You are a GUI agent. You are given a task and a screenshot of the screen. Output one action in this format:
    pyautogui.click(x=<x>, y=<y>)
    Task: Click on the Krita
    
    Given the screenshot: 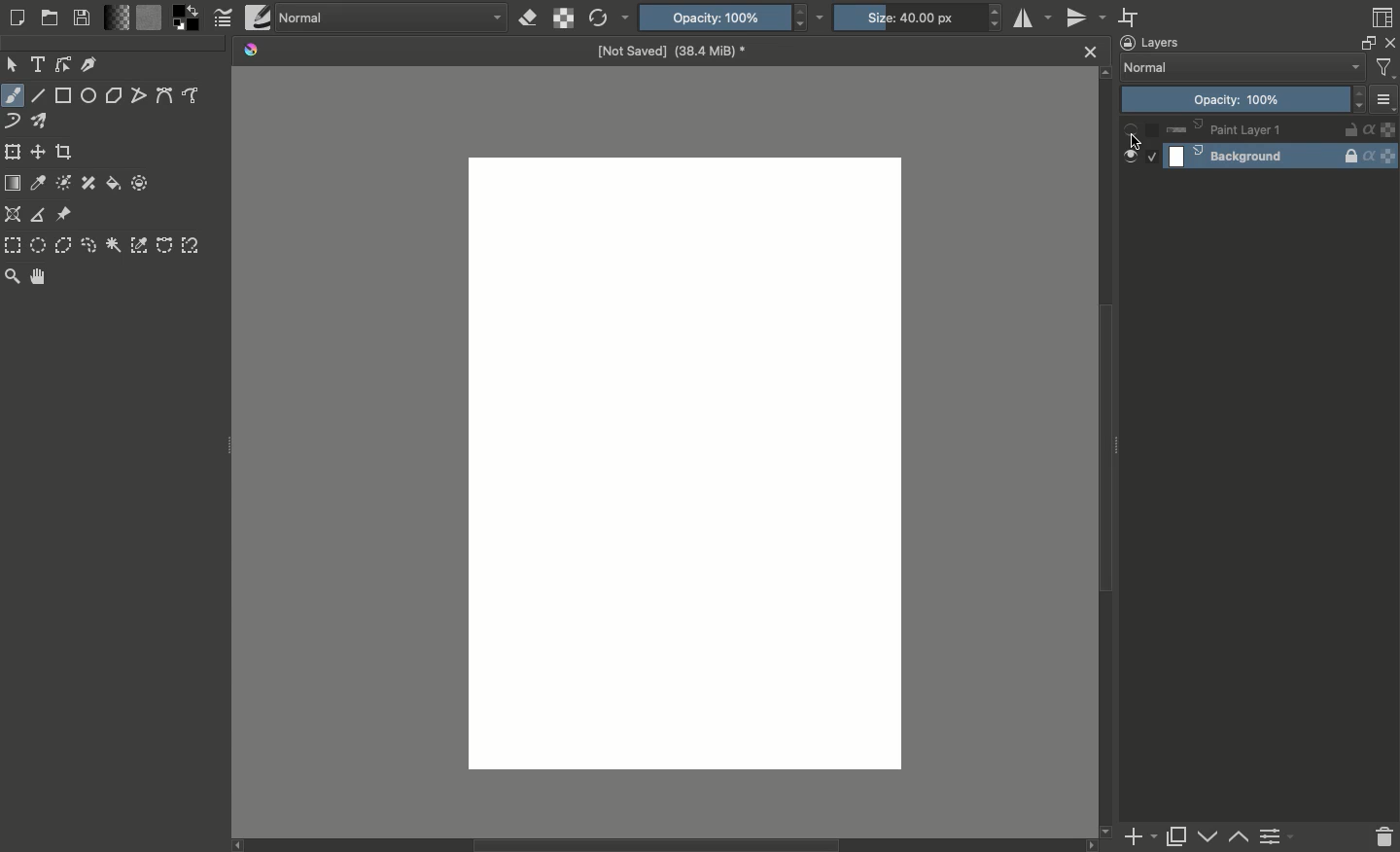 What is the action you would take?
    pyautogui.click(x=255, y=50)
    